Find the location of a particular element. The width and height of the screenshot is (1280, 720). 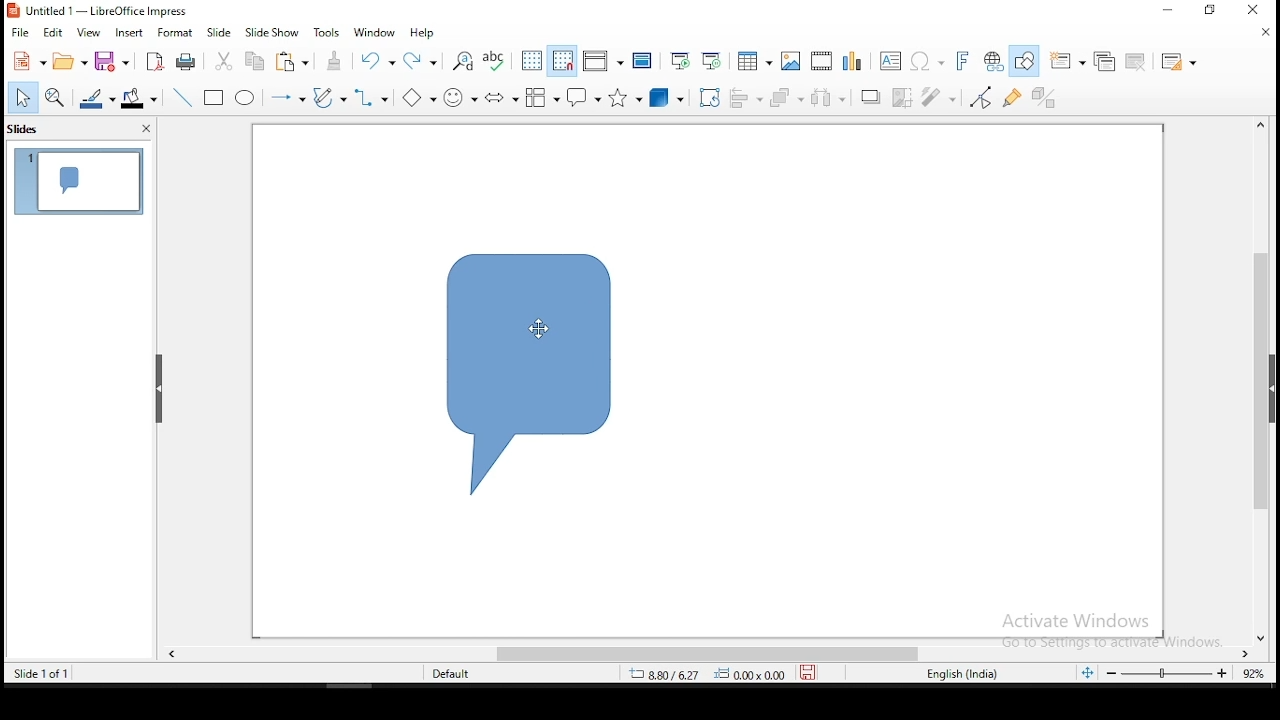

copy is located at coordinates (258, 60).